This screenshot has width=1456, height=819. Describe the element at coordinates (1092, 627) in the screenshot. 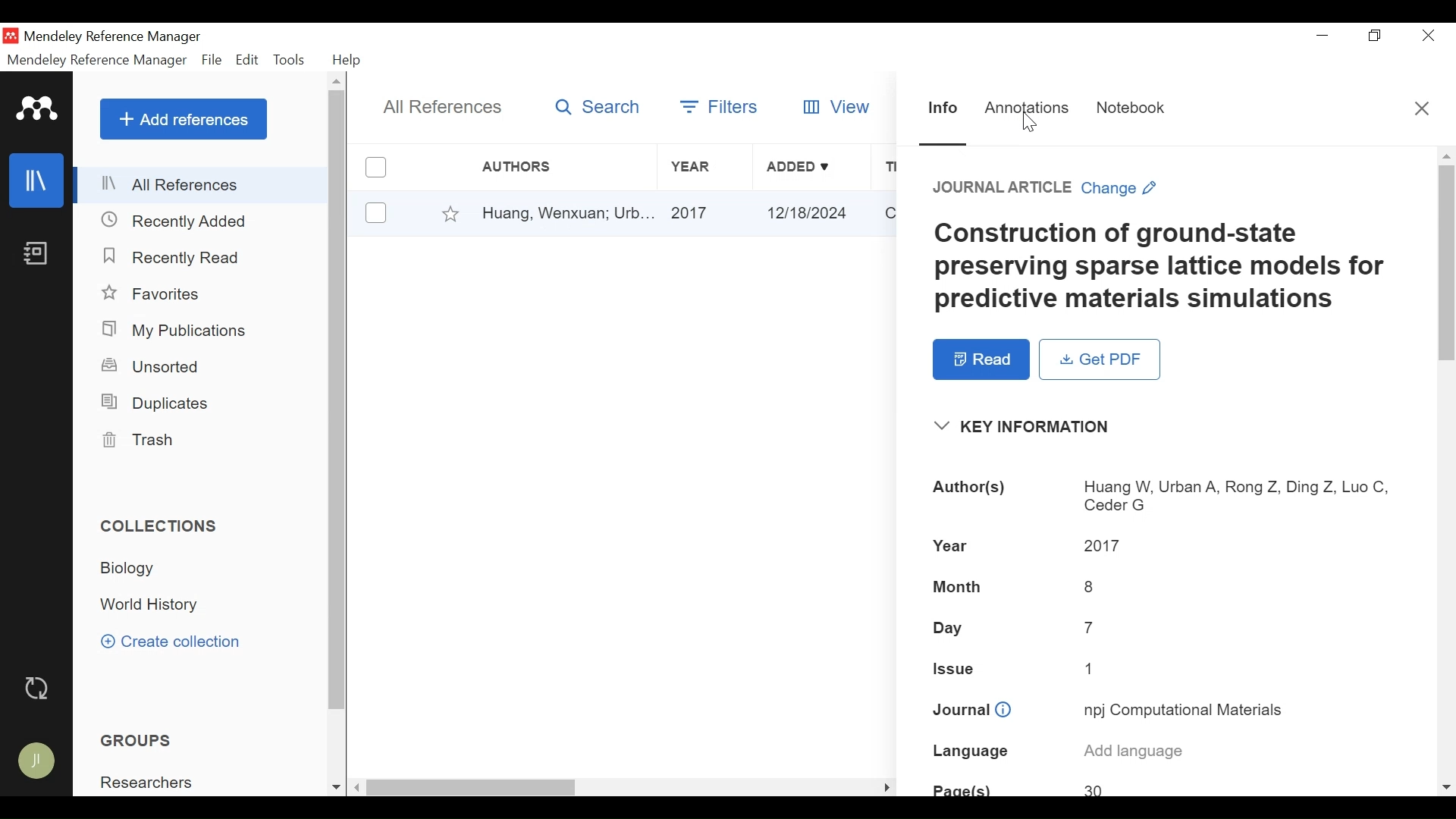

I see `7` at that location.